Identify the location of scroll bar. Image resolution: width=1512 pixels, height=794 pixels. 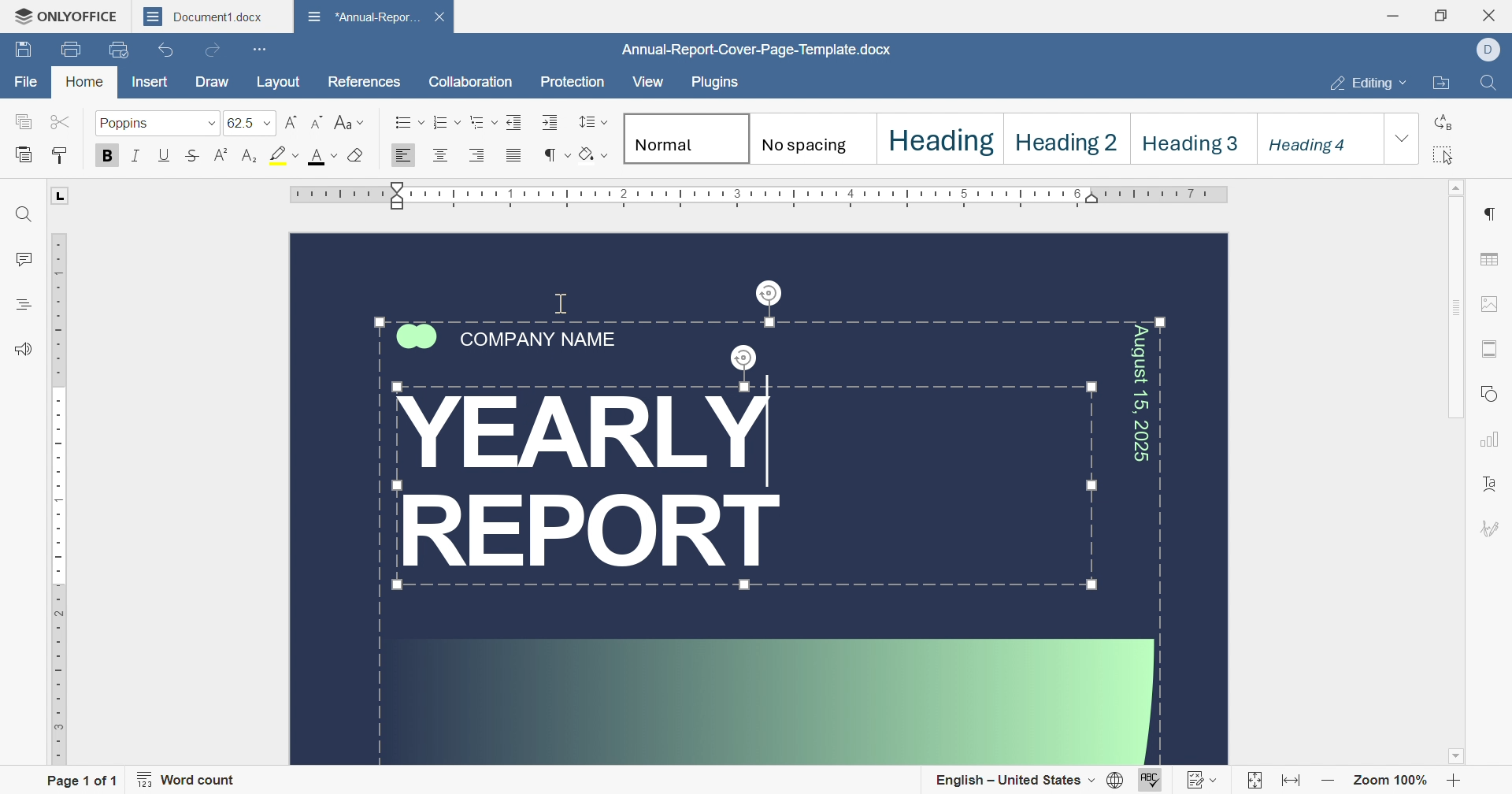
(1454, 315).